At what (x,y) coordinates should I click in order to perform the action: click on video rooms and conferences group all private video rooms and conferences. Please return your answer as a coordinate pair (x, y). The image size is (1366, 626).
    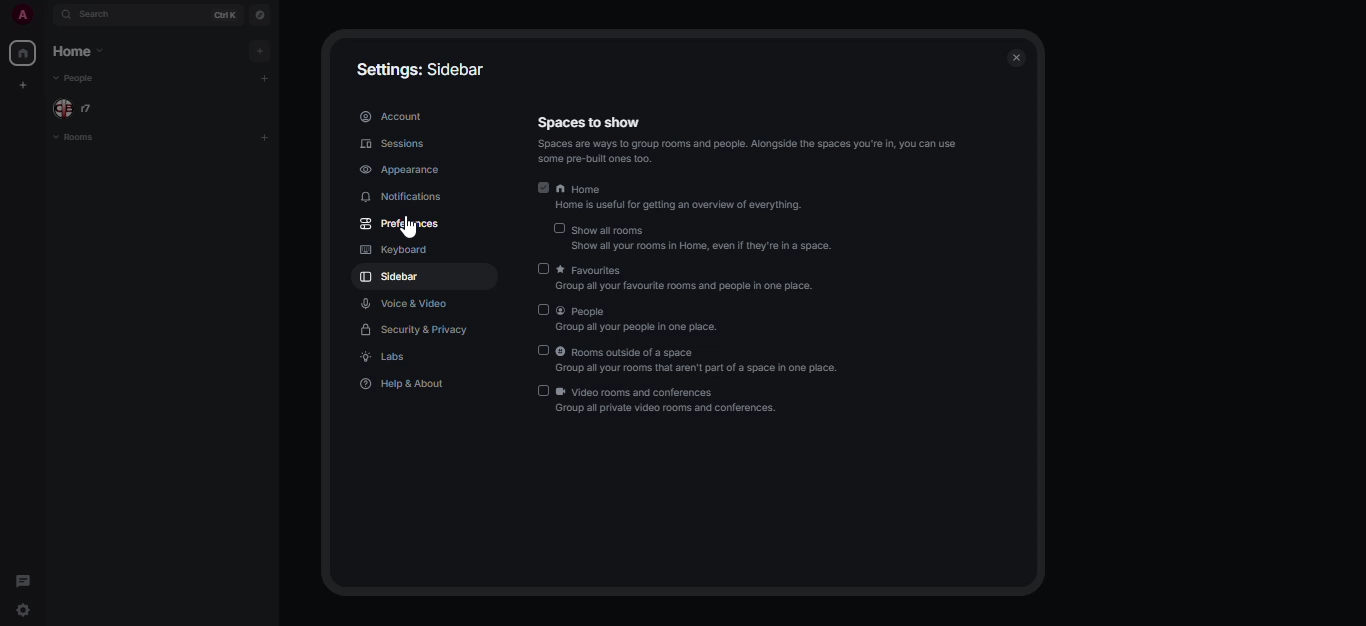
    Looking at the image, I should click on (681, 399).